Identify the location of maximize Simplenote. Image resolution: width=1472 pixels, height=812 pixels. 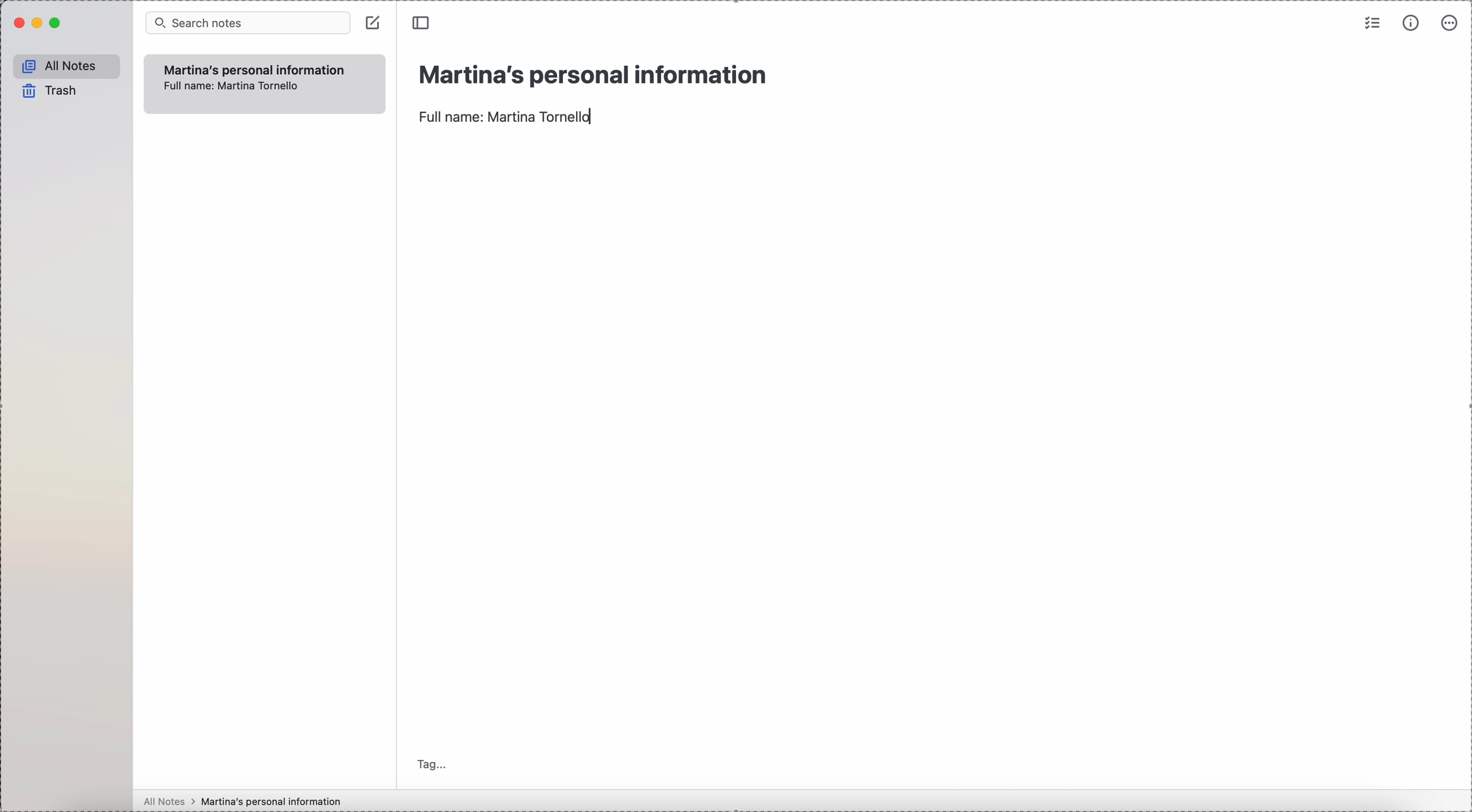
(56, 23).